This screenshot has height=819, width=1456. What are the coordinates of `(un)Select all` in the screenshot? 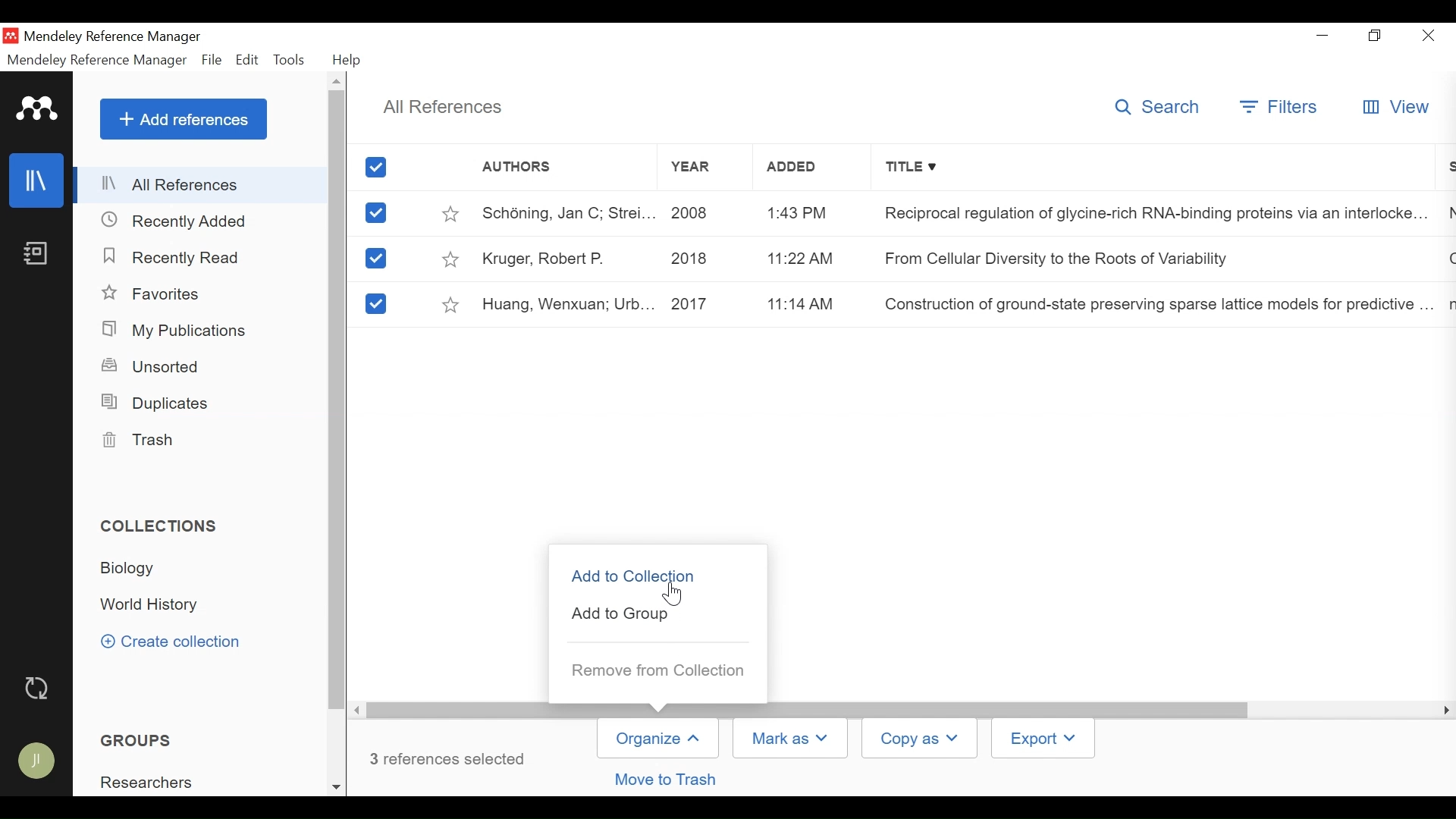 It's located at (378, 168).